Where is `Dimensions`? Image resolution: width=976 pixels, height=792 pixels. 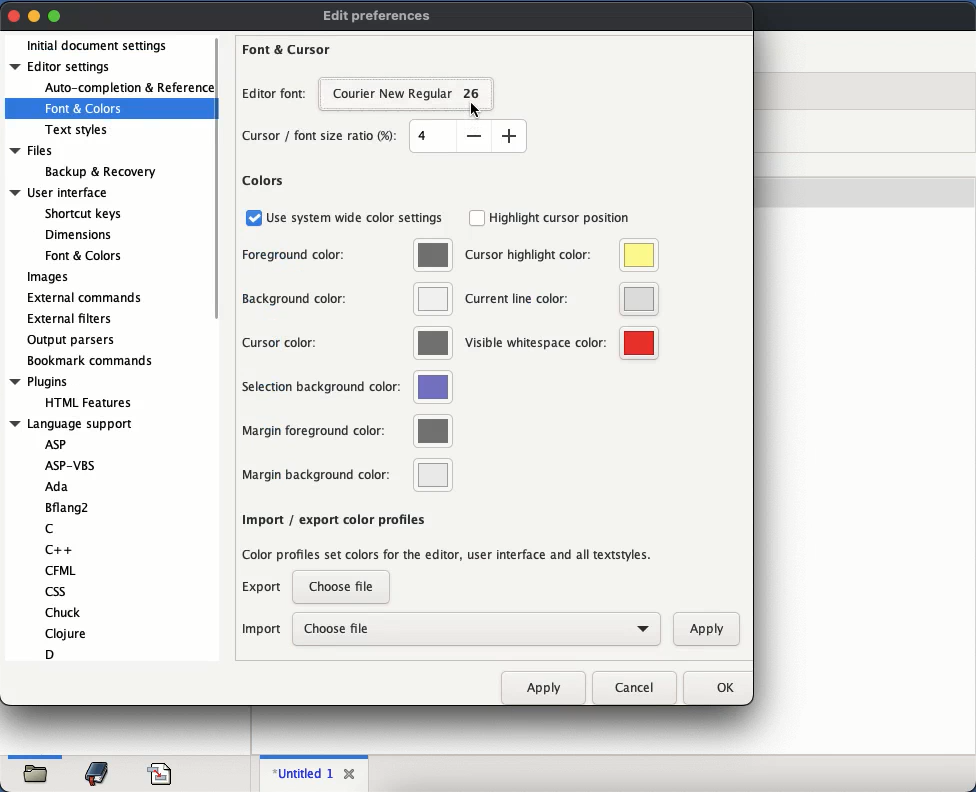
Dimensions is located at coordinates (79, 235).